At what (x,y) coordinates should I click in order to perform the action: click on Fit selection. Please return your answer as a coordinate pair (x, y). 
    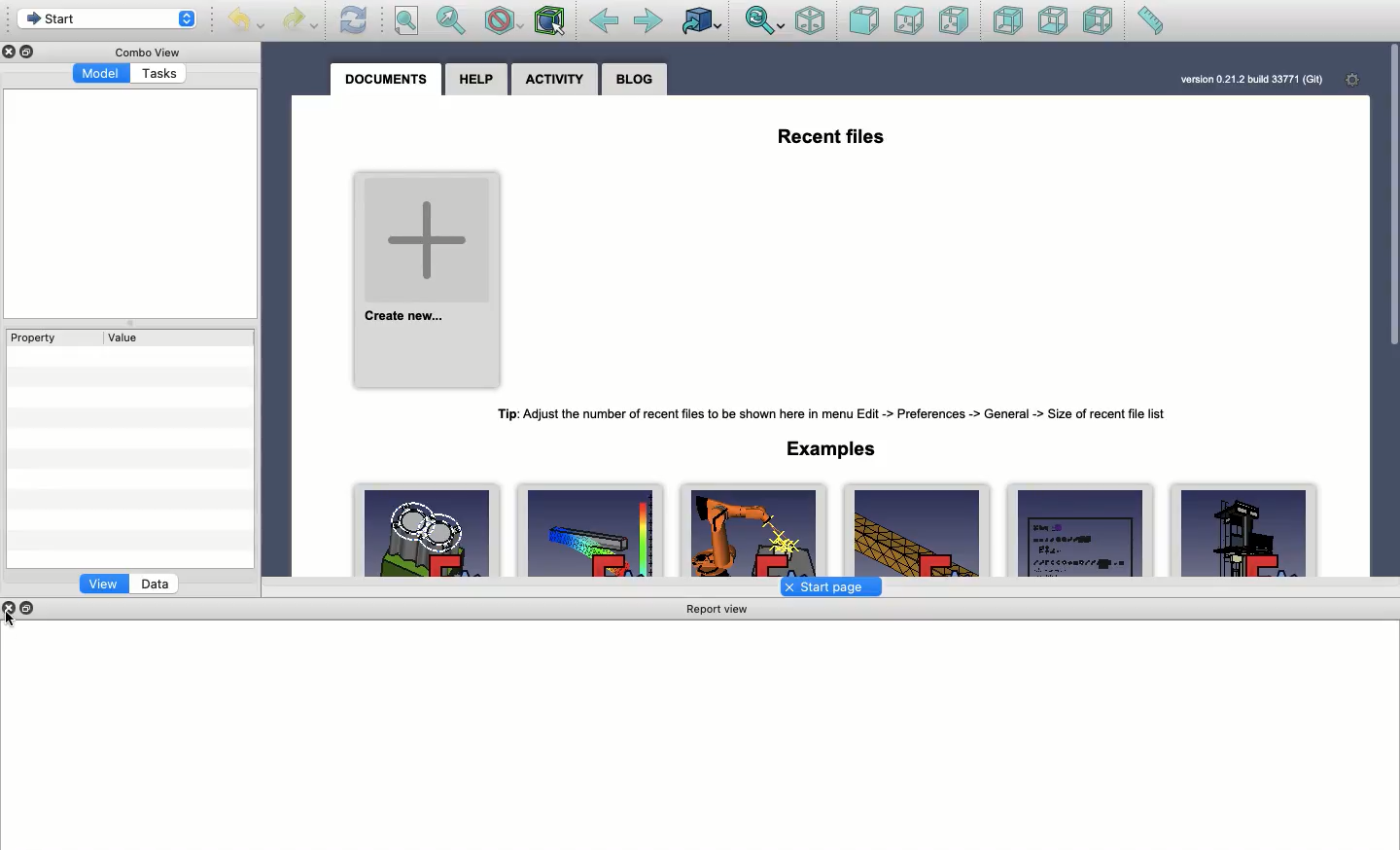
    Looking at the image, I should click on (450, 19).